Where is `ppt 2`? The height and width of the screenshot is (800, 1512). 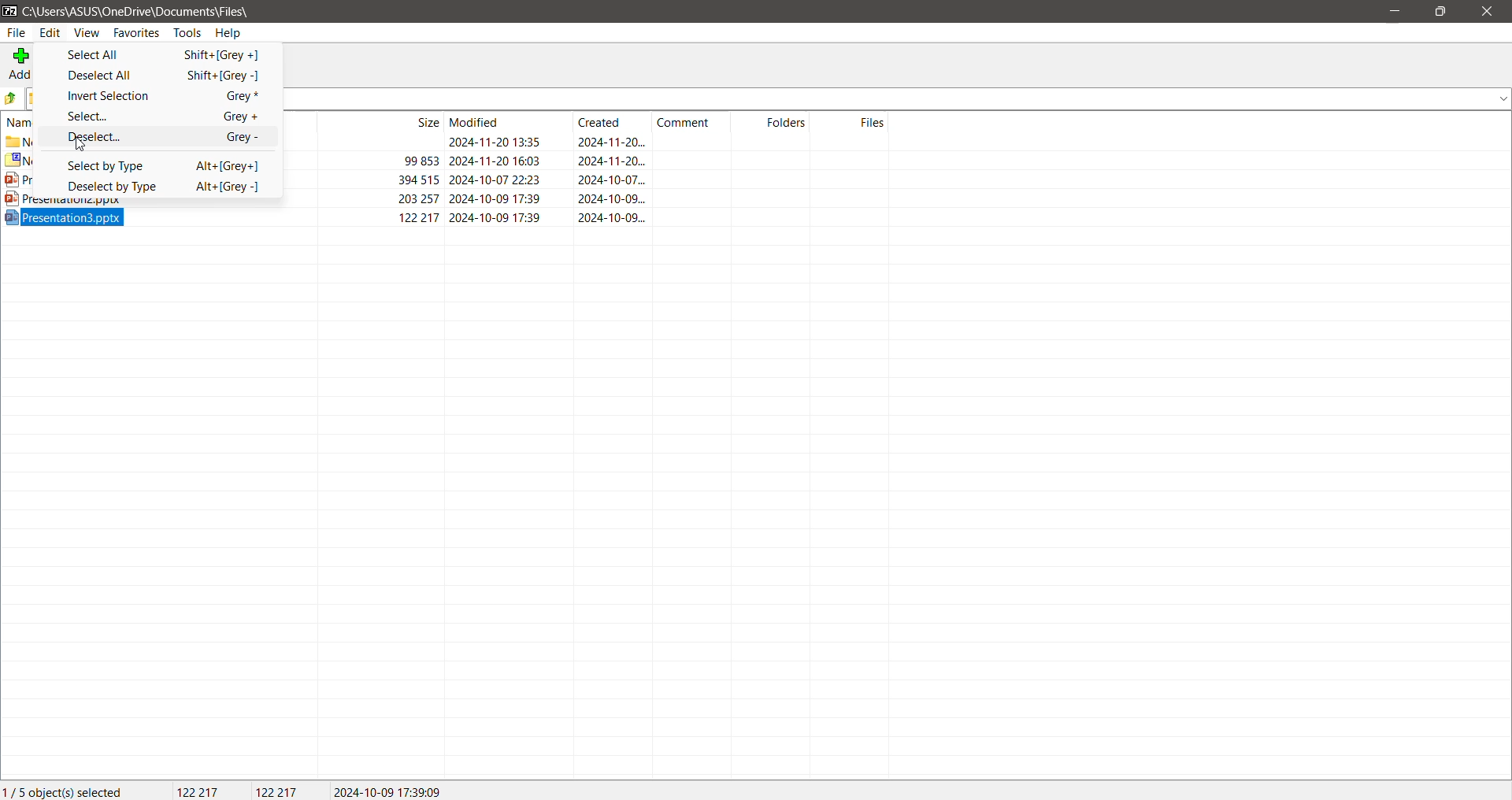
ppt 2 is located at coordinates (587, 199).